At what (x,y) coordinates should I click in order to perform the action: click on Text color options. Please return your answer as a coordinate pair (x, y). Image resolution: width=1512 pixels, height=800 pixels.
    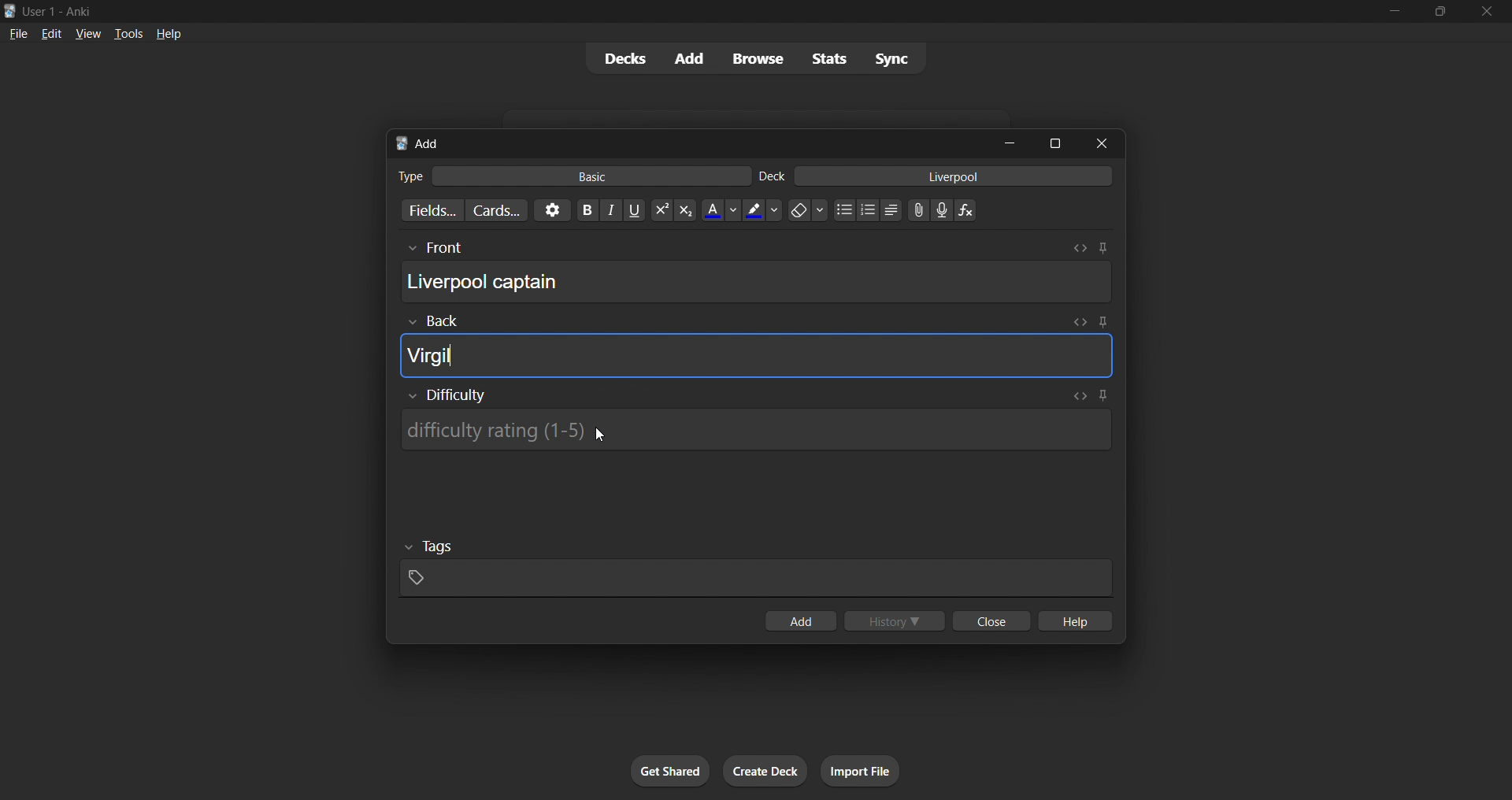
    Looking at the image, I should click on (721, 210).